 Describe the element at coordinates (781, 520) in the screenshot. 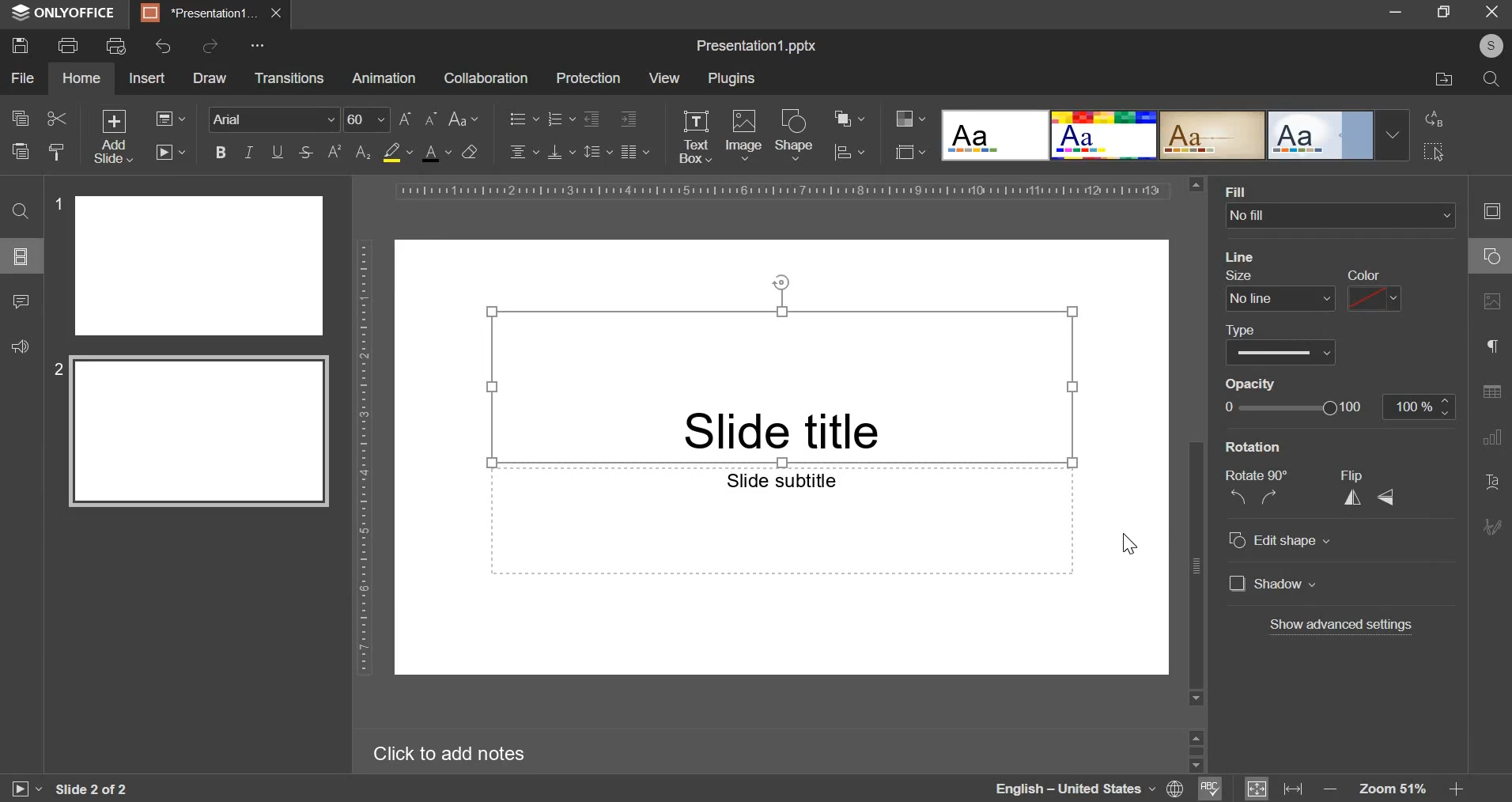

I see `slide subtitle` at that location.